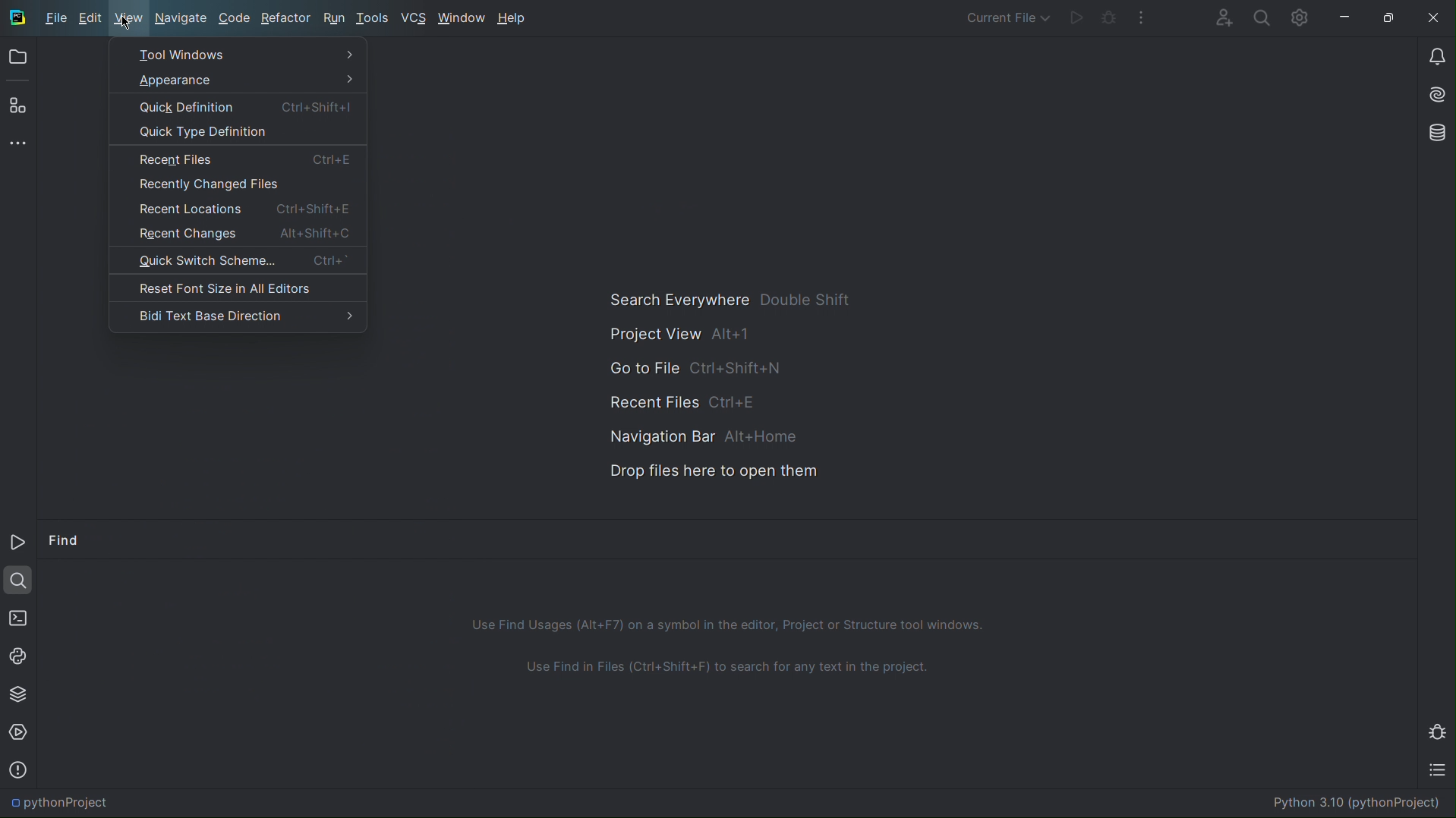 The image size is (1456, 818). Describe the element at coordinates (728, 675) in the screenshot. I see `Find Terminal` at that location.